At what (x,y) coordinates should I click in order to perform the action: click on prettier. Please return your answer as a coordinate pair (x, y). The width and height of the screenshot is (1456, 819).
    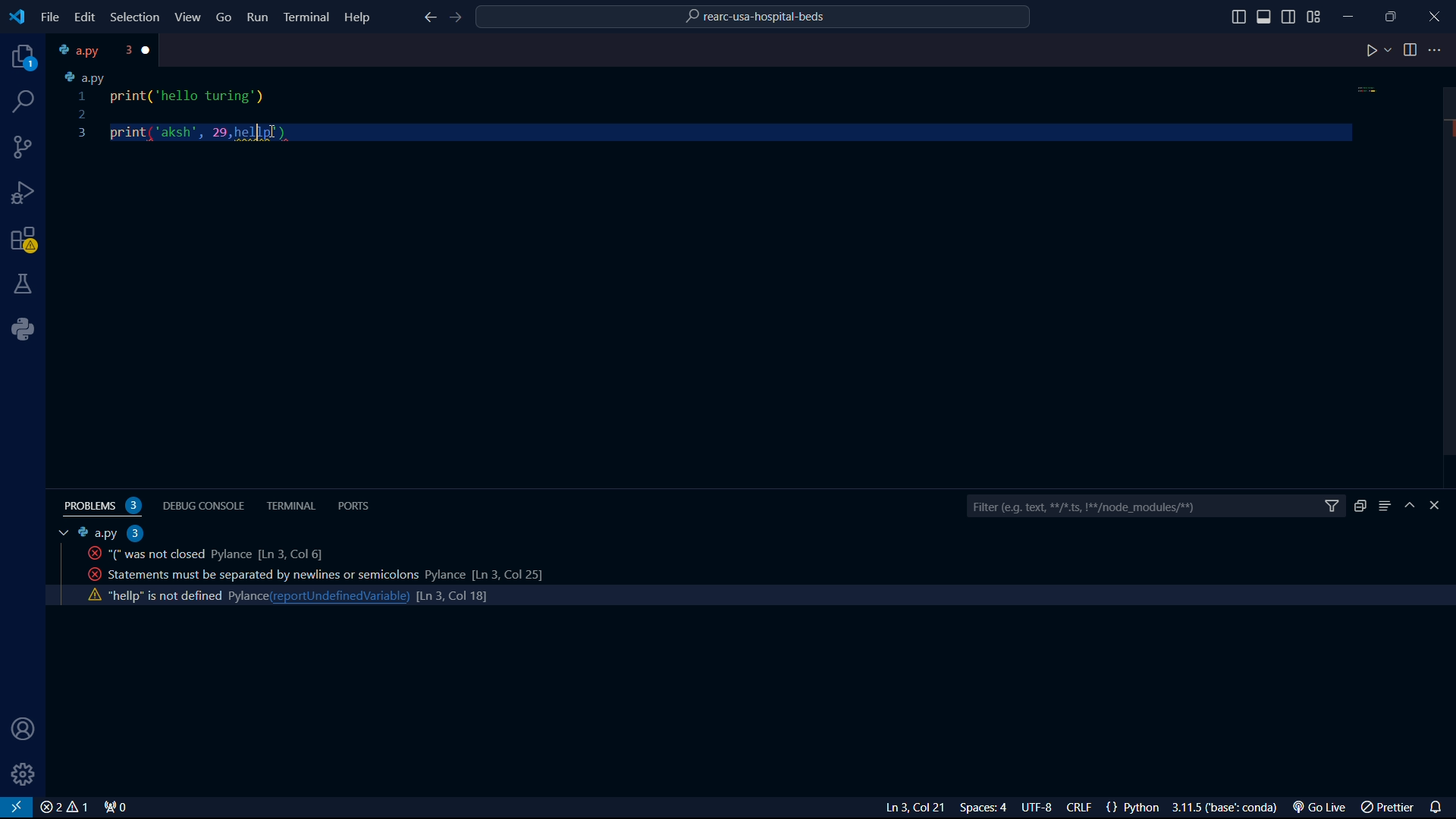
    Looking at the image, I should click on (1389, 808).